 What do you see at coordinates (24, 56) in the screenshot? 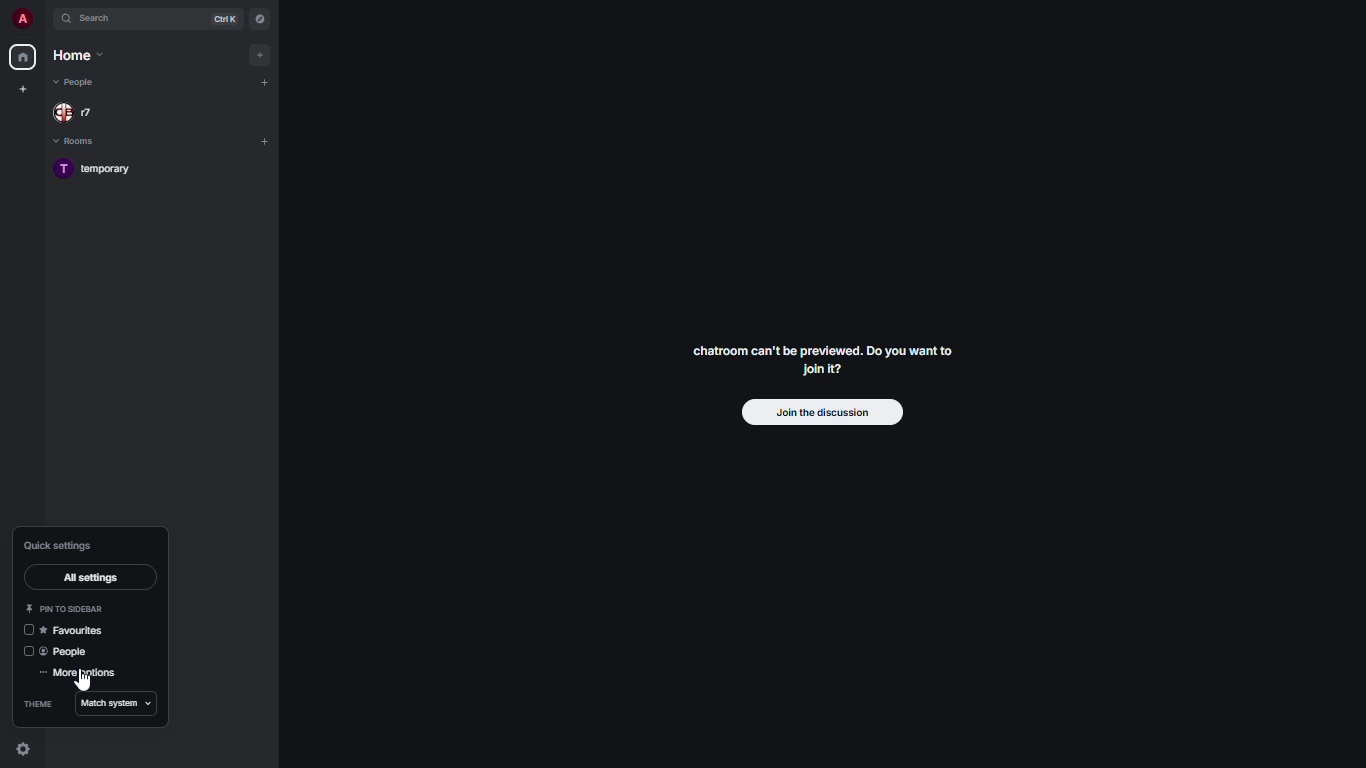
I see `home` at bounding box center [24, 56].